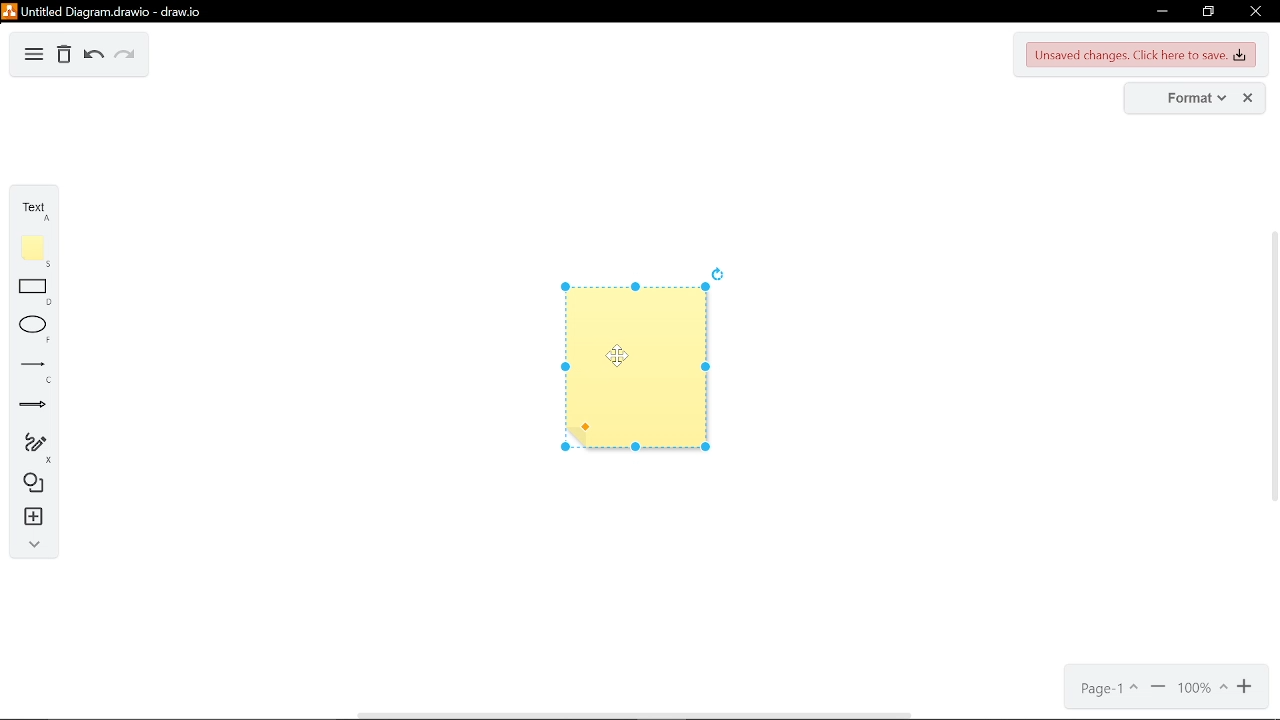  Describe the element at coordinates (717, 274) in the screenshot. I see `rotate diagram` at that location.